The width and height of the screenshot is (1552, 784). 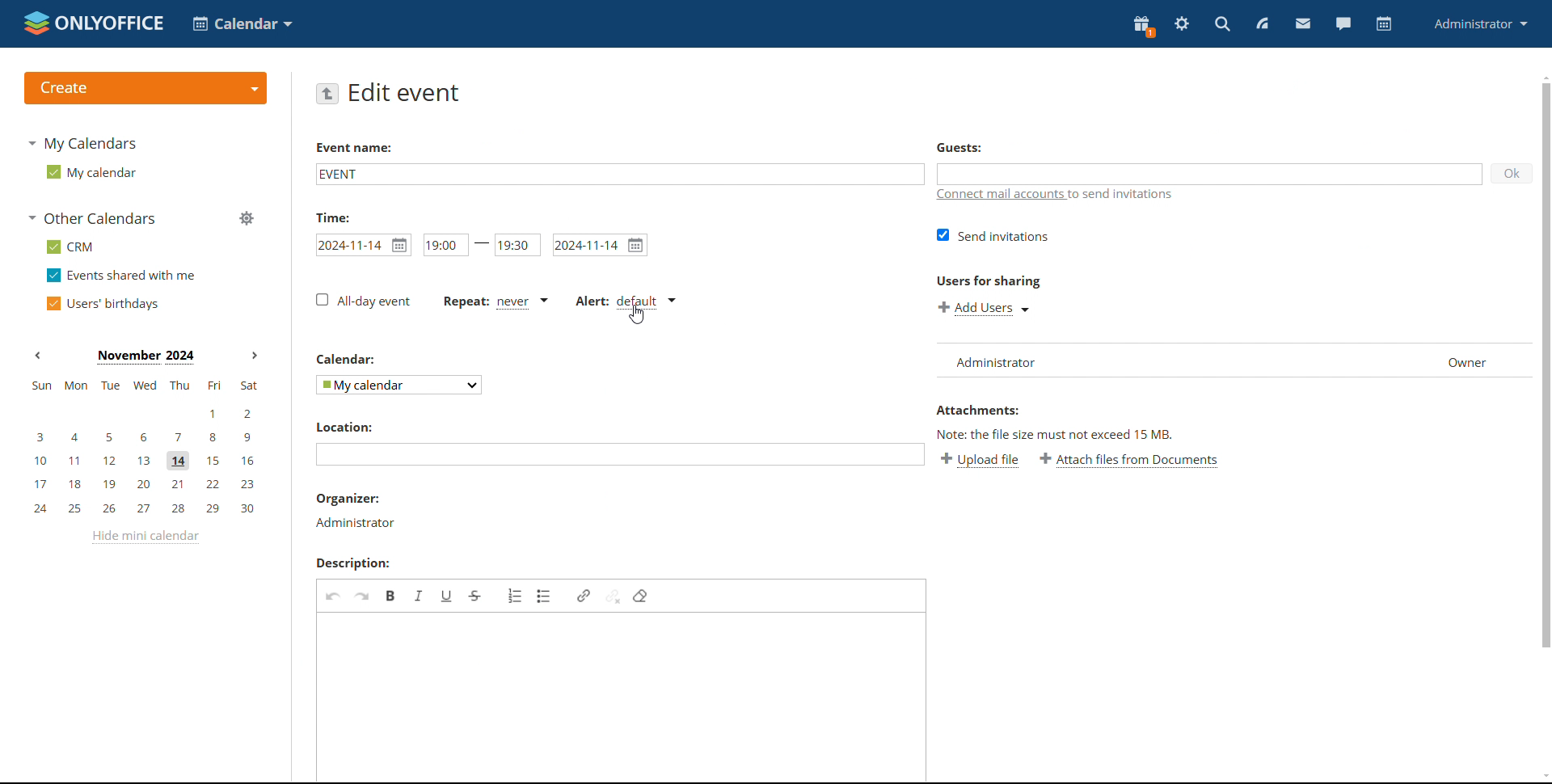 What do you see at coordinates (353, 150) in the screenshot?
I see `event name` at bounding box center [353, 150].